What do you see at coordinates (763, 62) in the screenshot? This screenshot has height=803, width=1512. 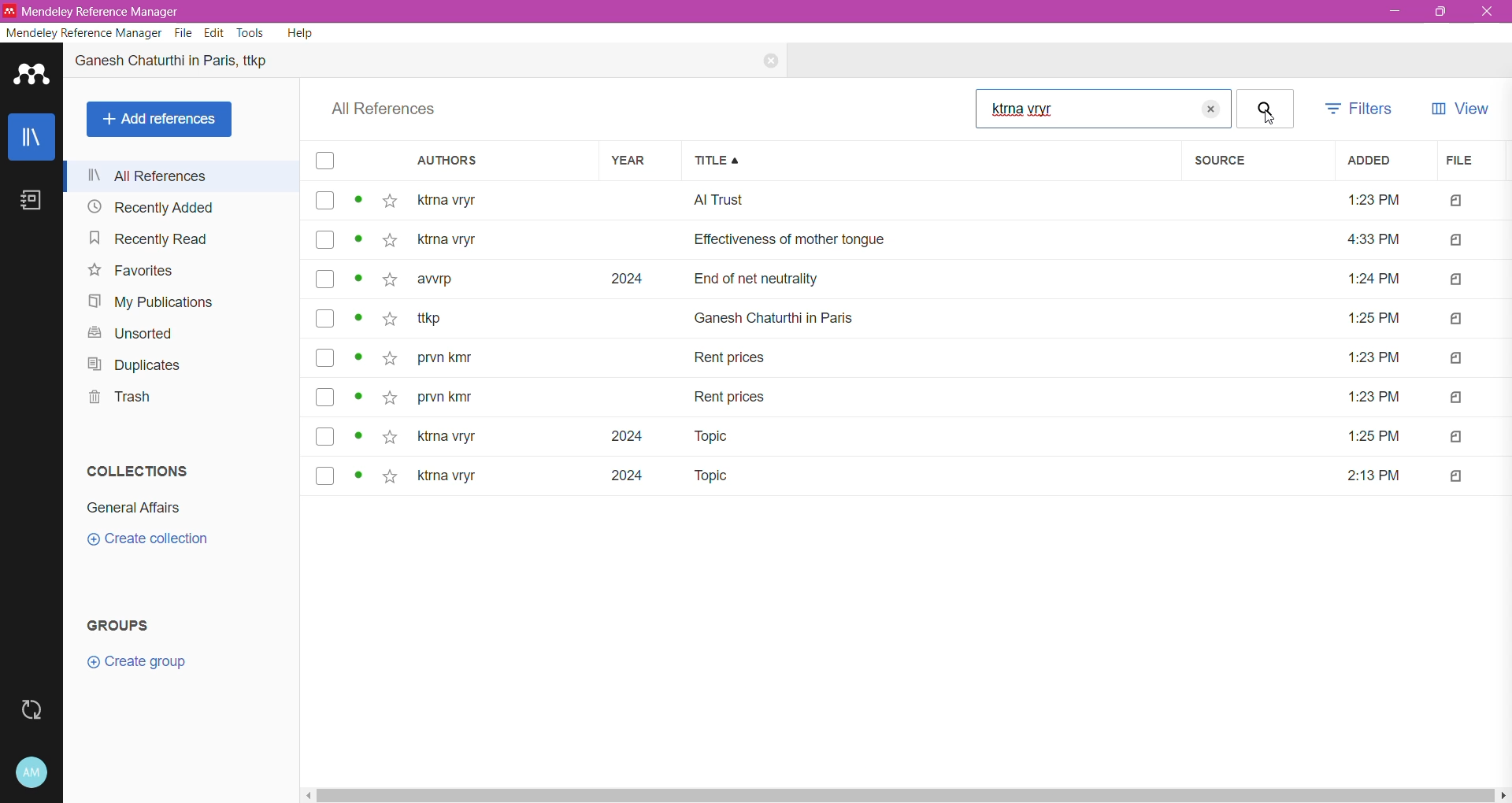 I see `Close` at bounding box center [763, 62].